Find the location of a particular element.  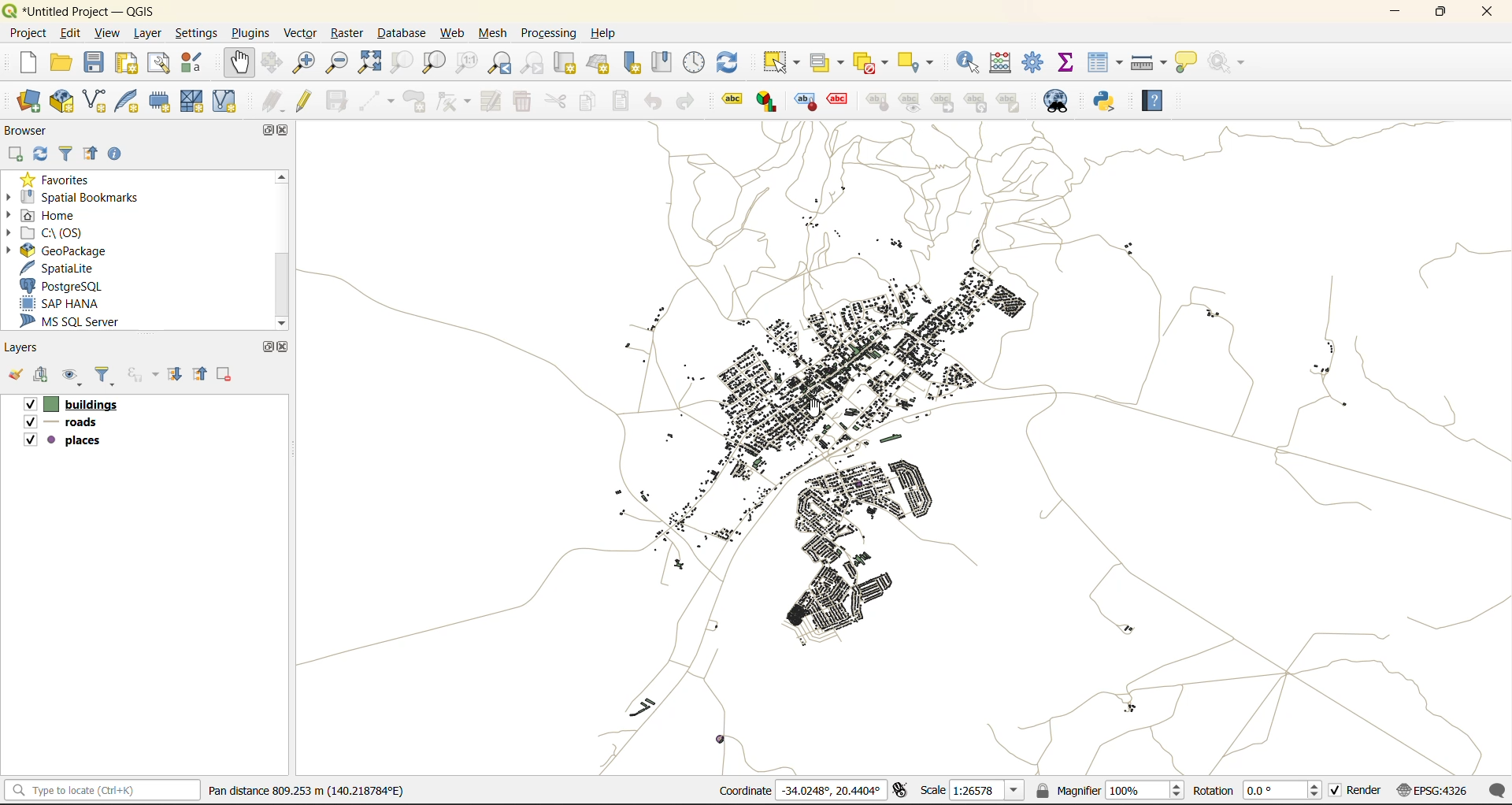

select location is located at coordinates (925, 63).